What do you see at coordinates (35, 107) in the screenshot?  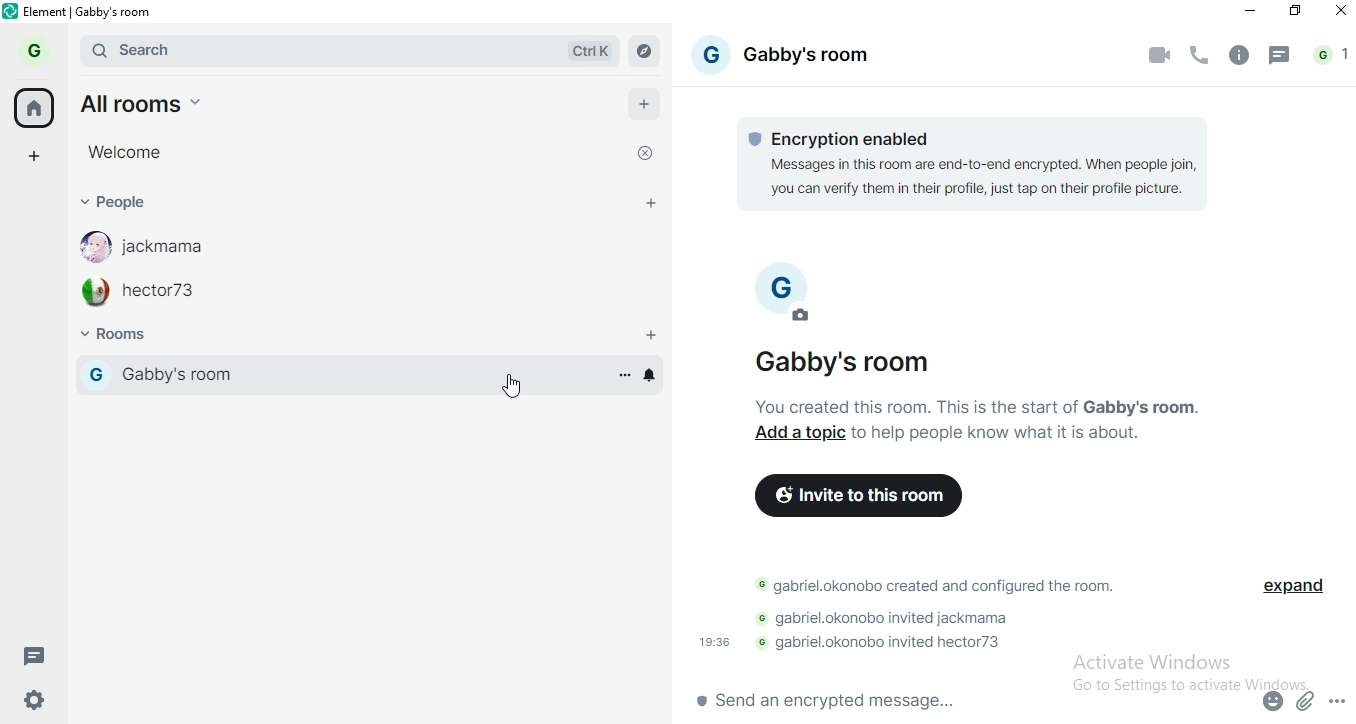 I see `home` at bounding box center [35, 107].